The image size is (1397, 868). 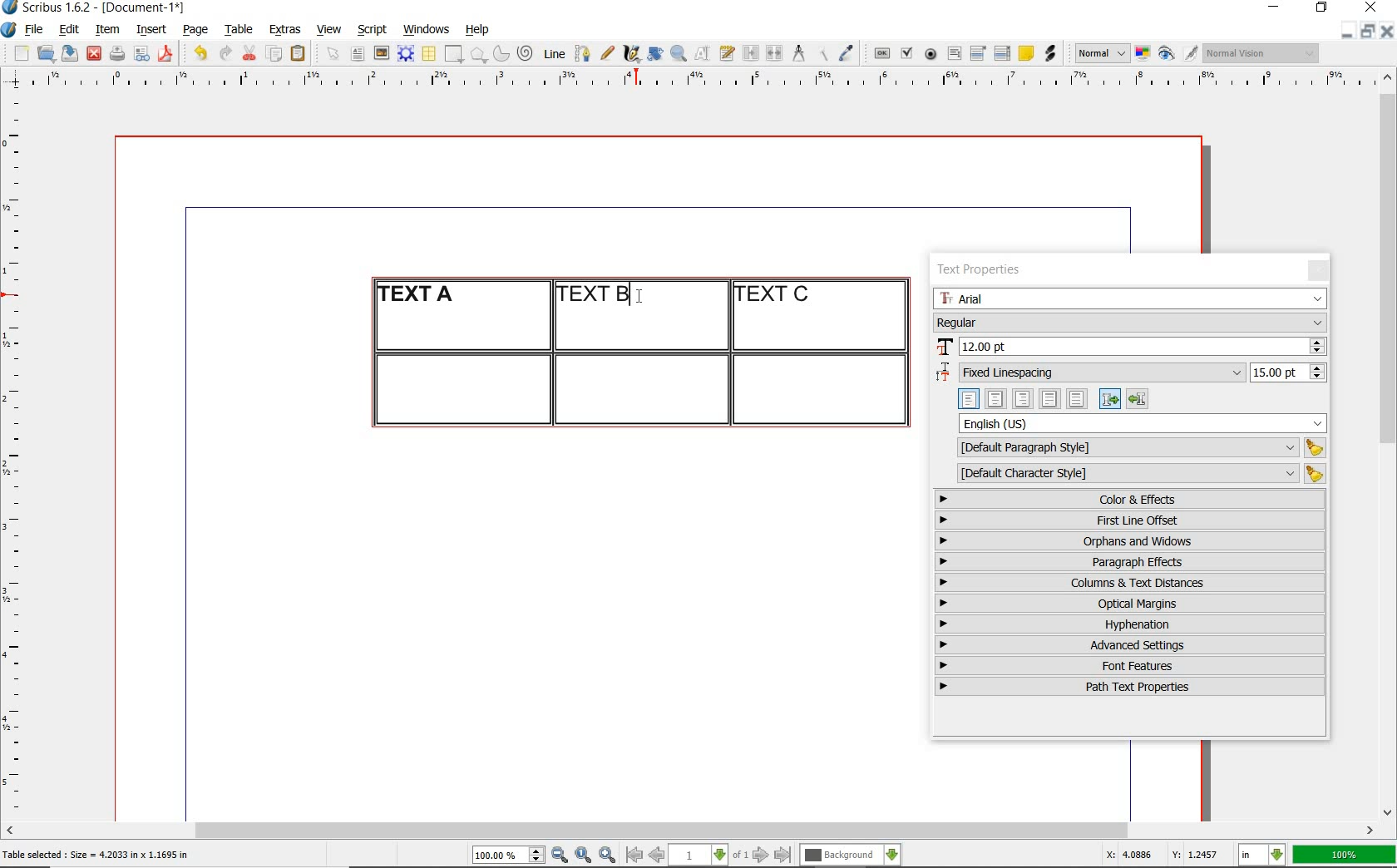 I want to click on restore, so click(x=1322, y=8).